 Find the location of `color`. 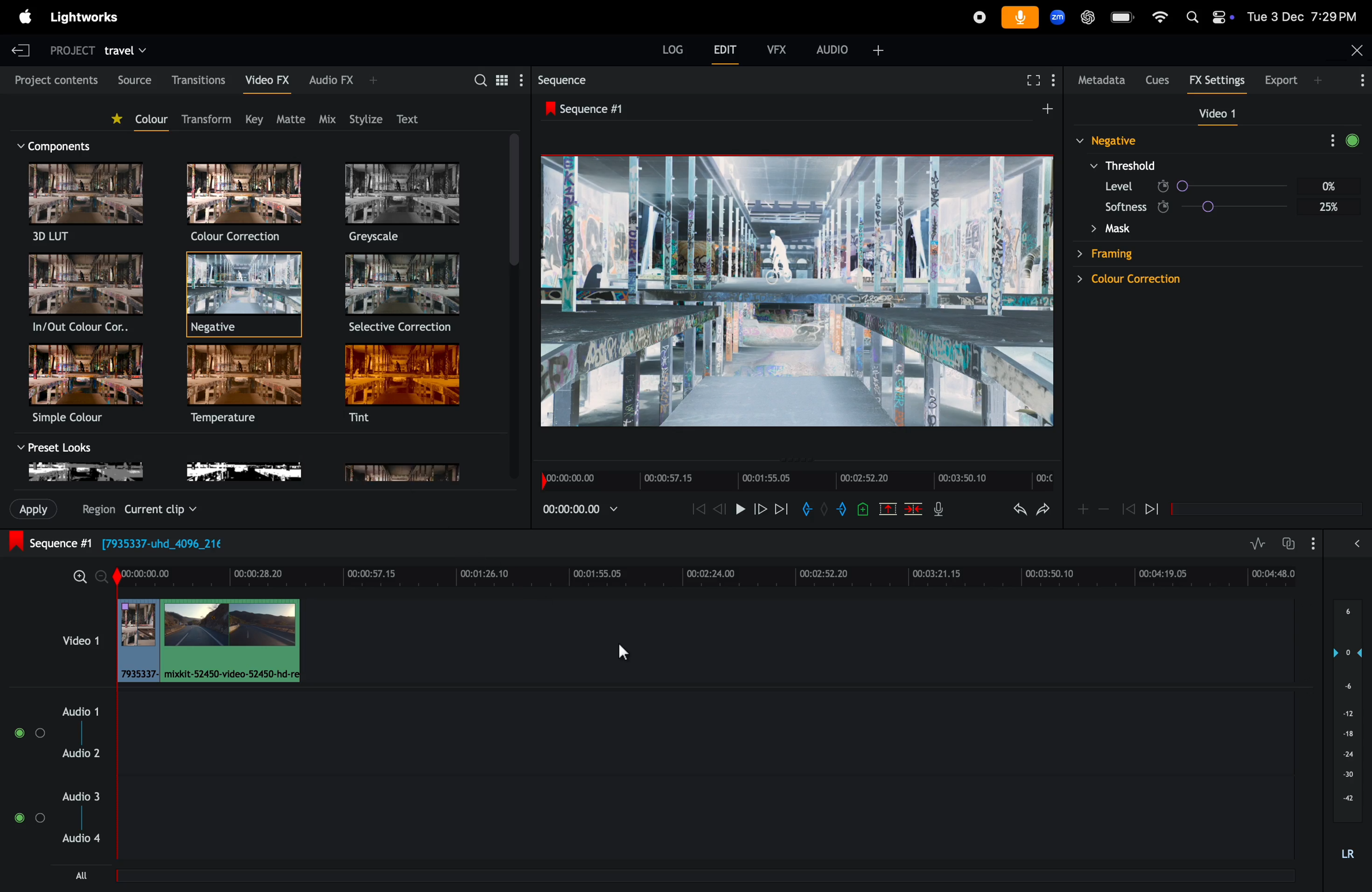

color is located at coordinates (144, 120).